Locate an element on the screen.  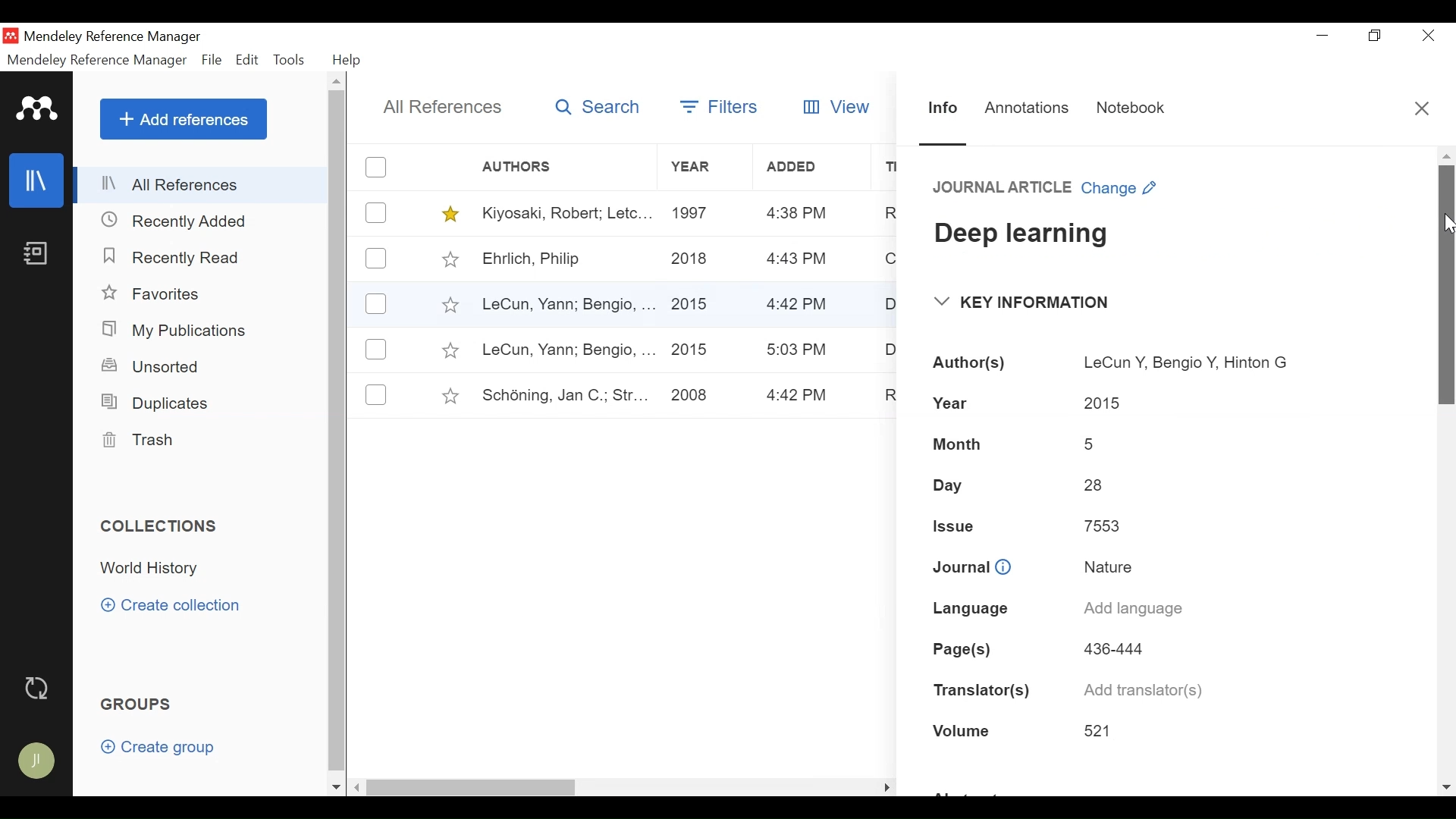
Toggle Favorites is located at coordinates (449, 350).